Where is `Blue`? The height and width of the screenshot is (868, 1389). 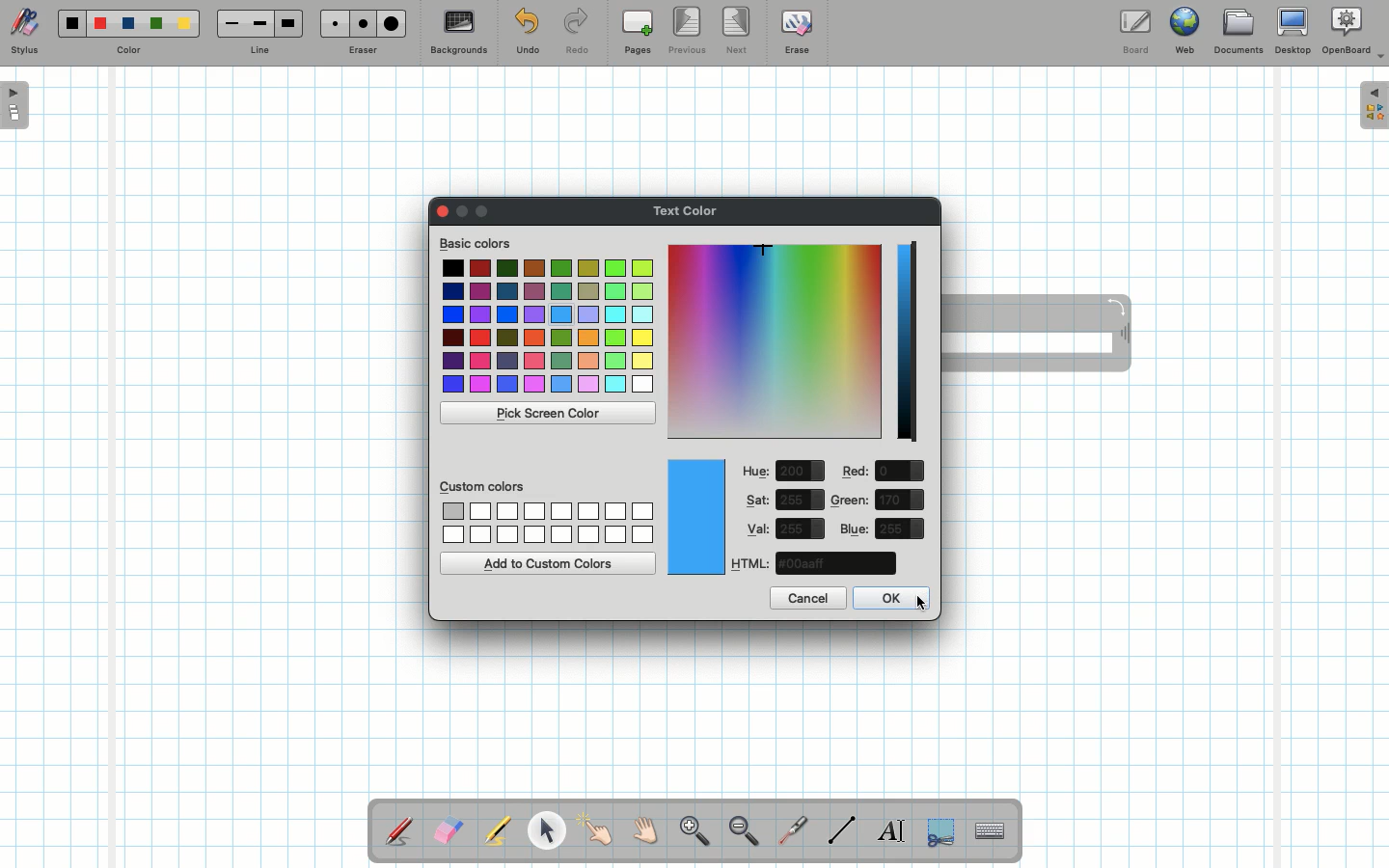
Blue is located at coordinates (129, 24).